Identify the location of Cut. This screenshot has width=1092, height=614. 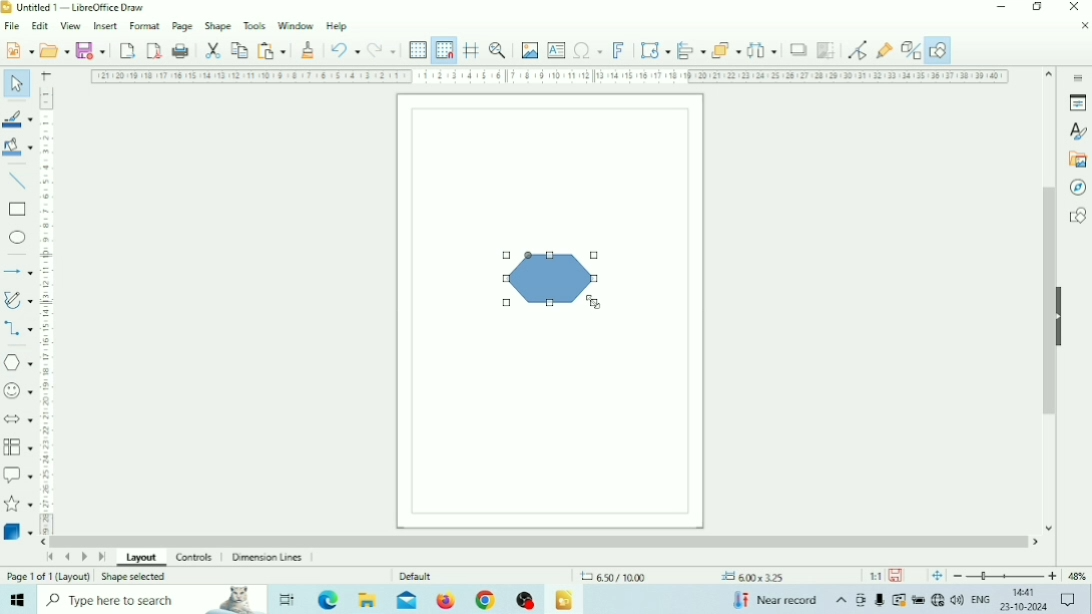
(213, 51).